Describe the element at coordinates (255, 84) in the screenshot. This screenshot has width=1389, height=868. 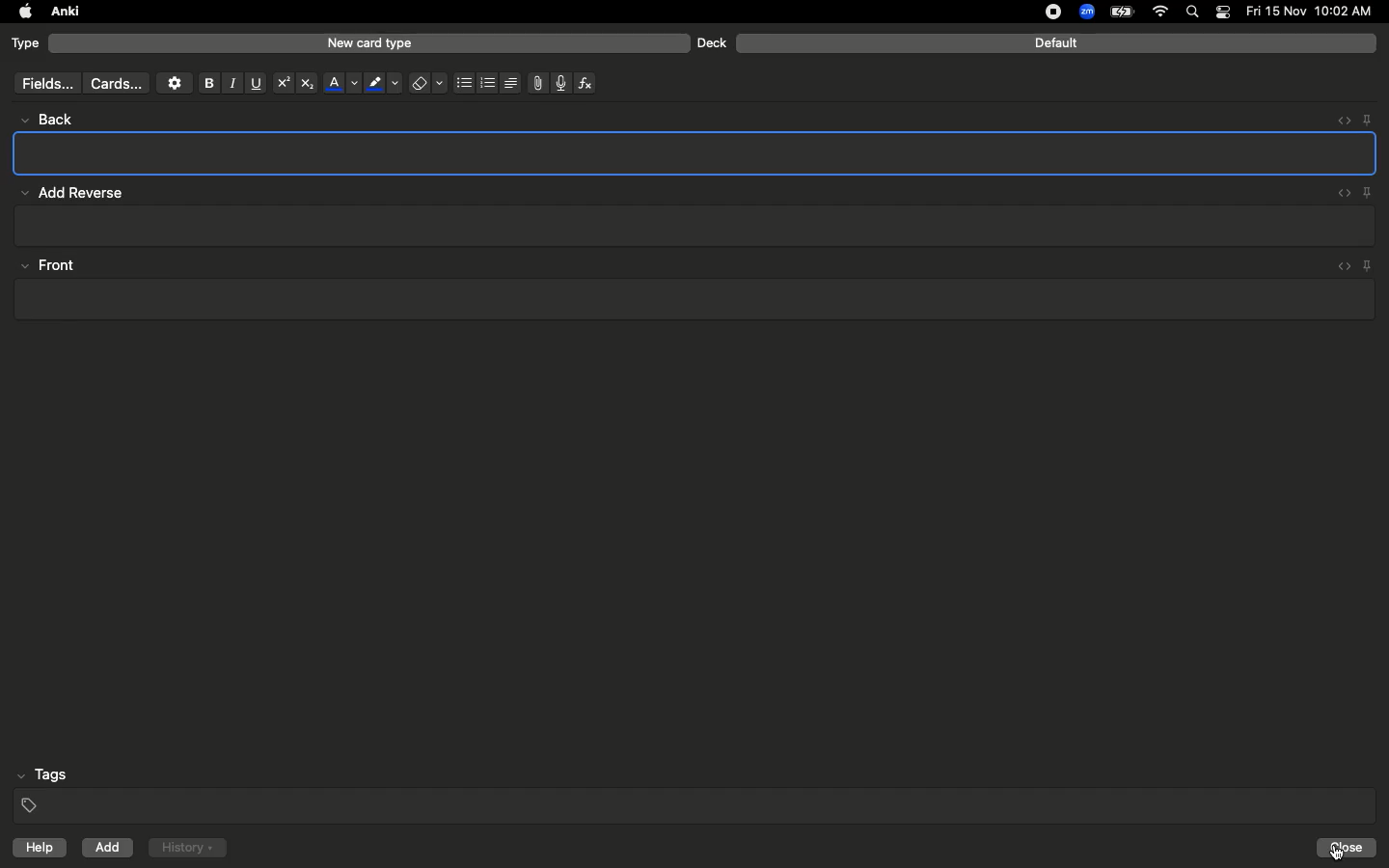
I see `Underline` at that location.